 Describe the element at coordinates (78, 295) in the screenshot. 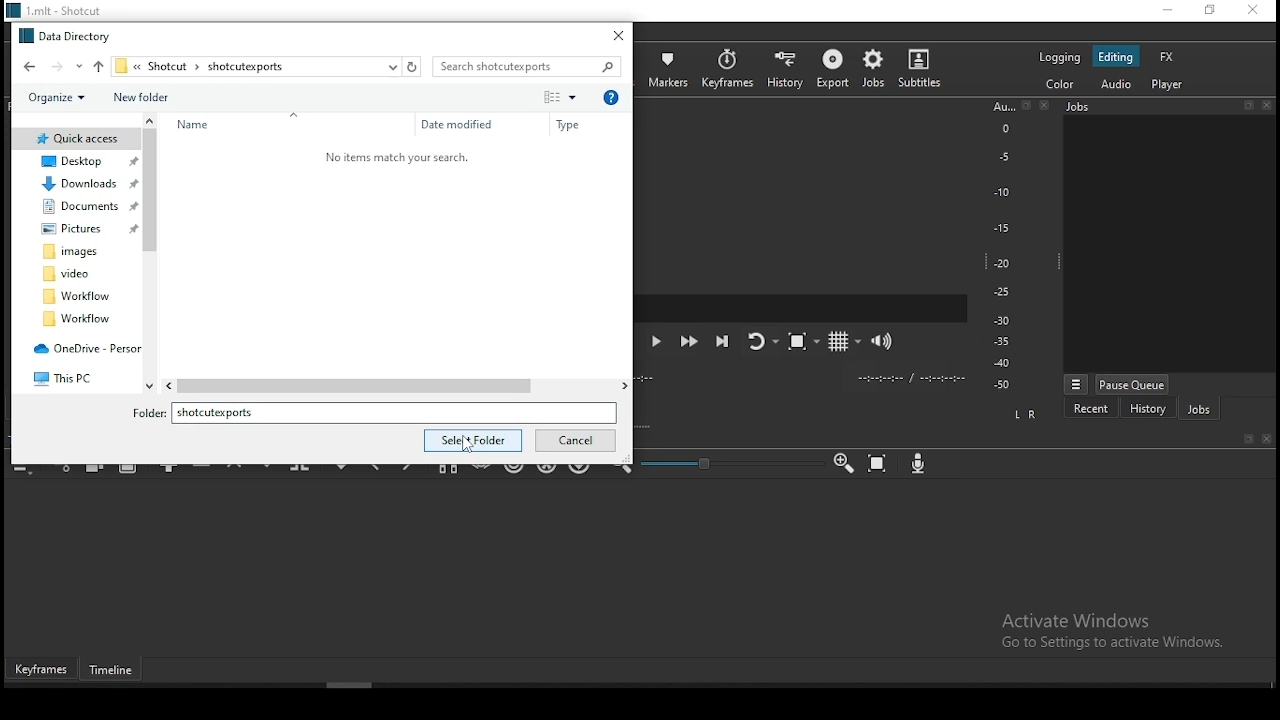

I see `local folder` at that location.